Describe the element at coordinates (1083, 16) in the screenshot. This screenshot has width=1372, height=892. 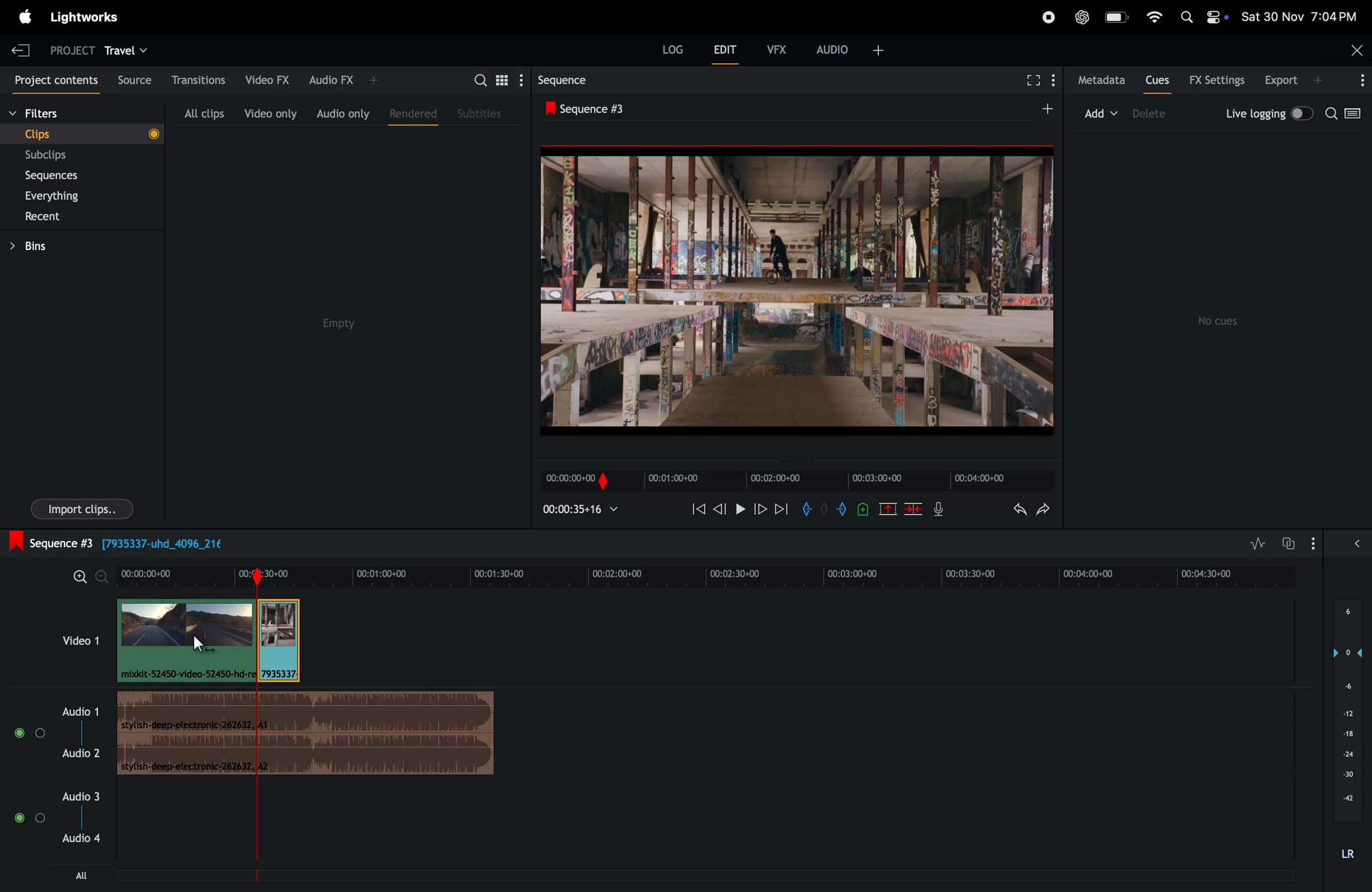
I see `chatgpt` at that location.